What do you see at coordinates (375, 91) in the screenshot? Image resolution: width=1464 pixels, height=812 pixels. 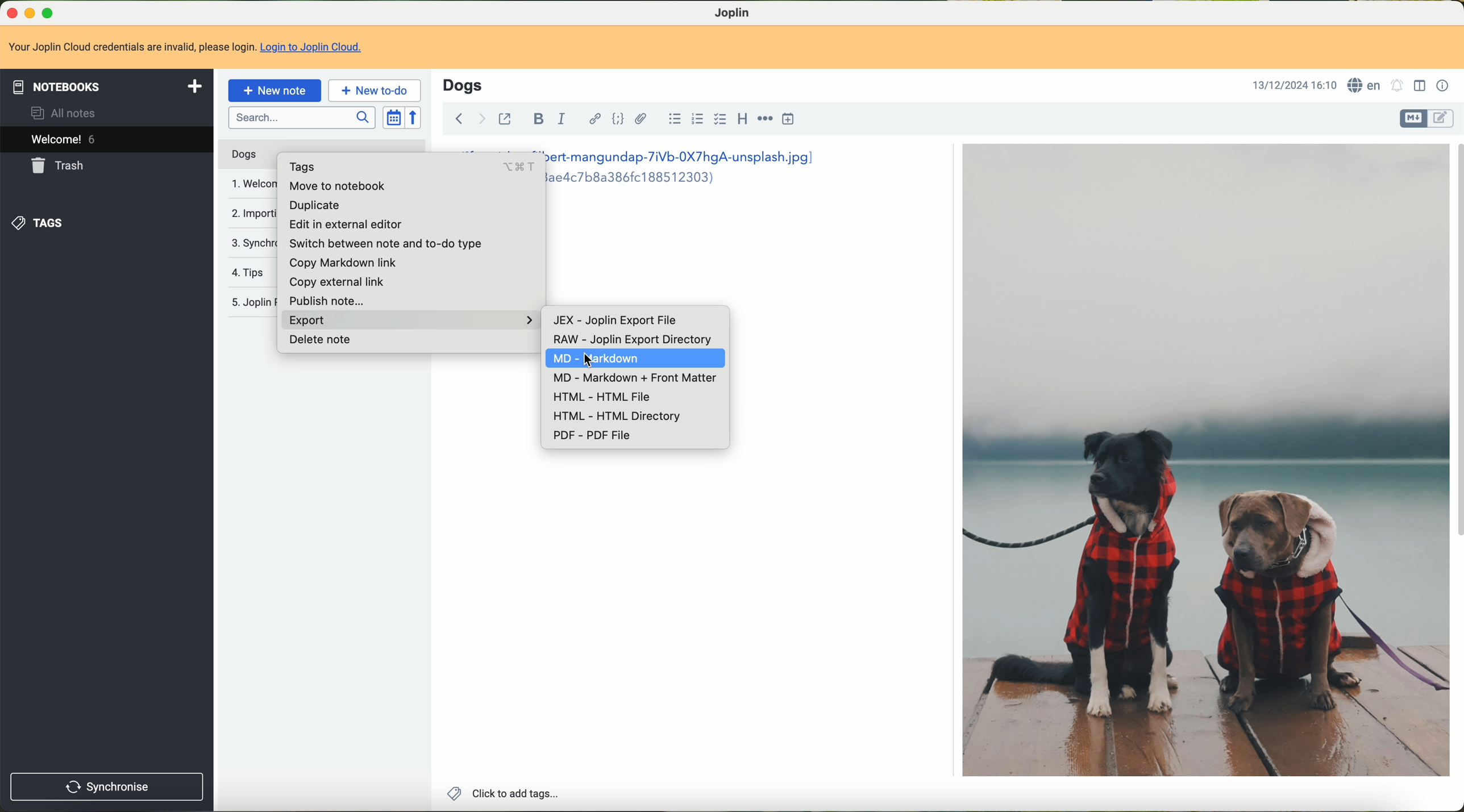 I see `new to-do` at bounding box center [375, 91].